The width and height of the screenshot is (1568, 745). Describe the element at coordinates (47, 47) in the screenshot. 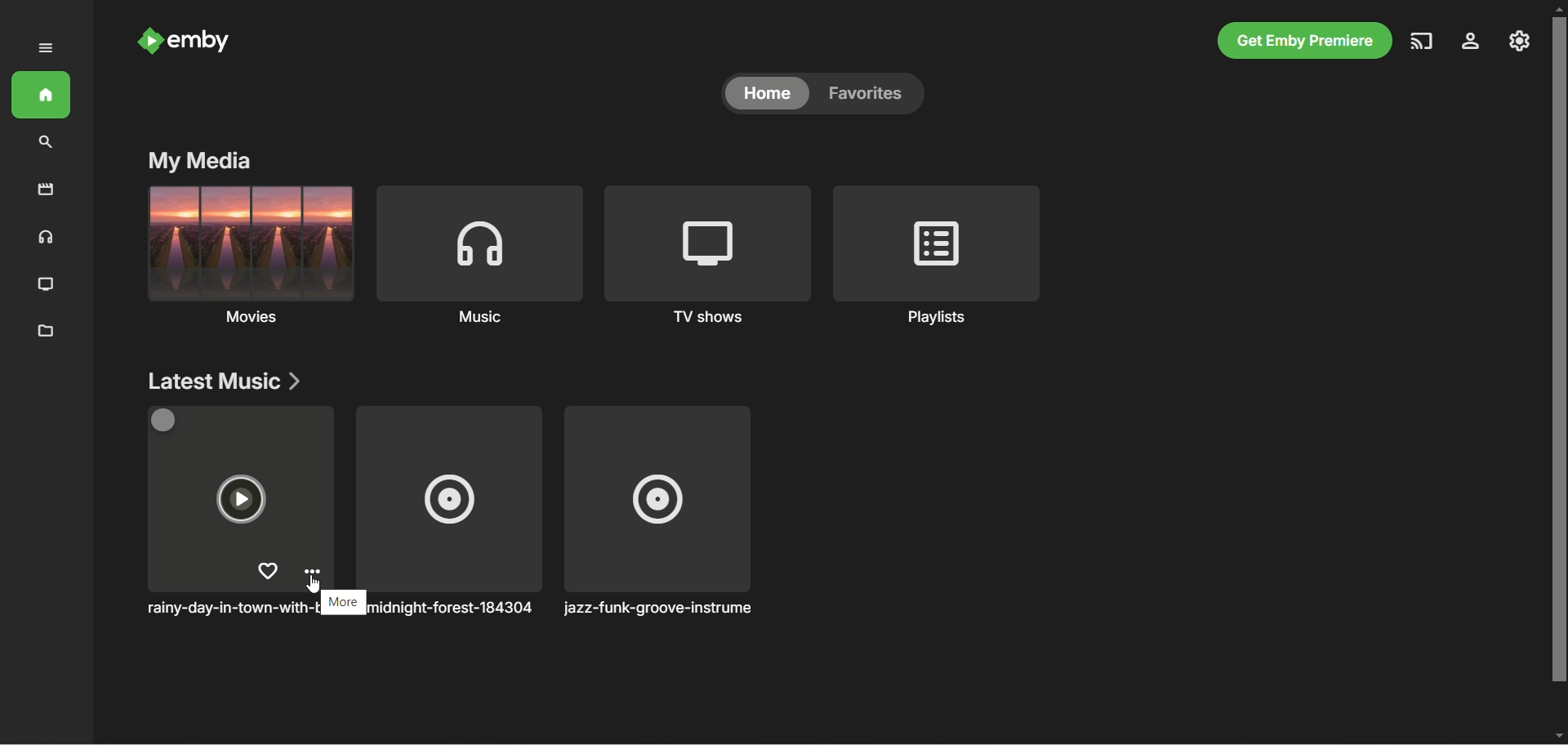

I see `expand` at that location.